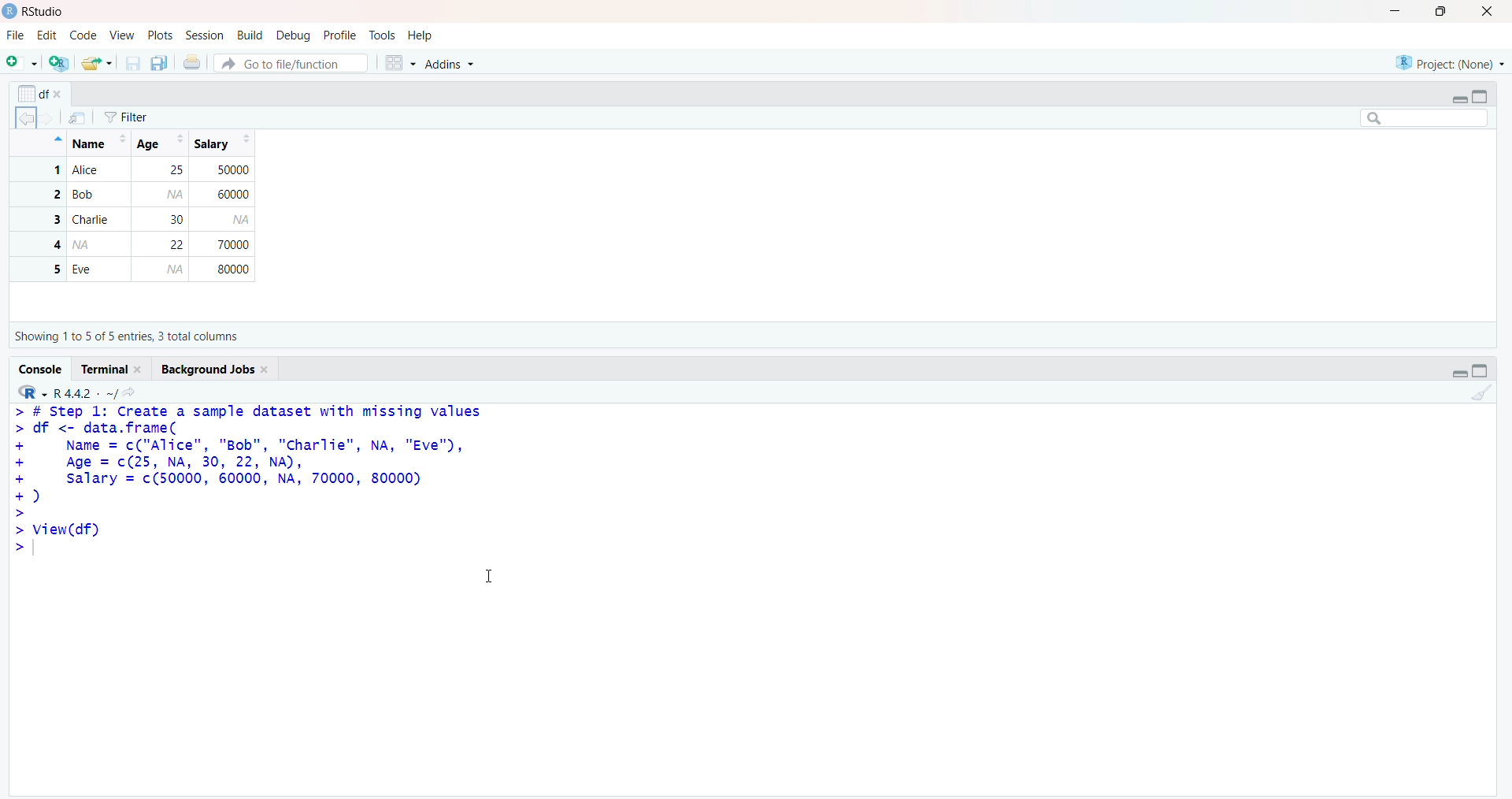 The image size is (1512, 799). What do you see at coordinates (33, 391) in the screenshot?
I see `R` at bounding box center [33, 391].